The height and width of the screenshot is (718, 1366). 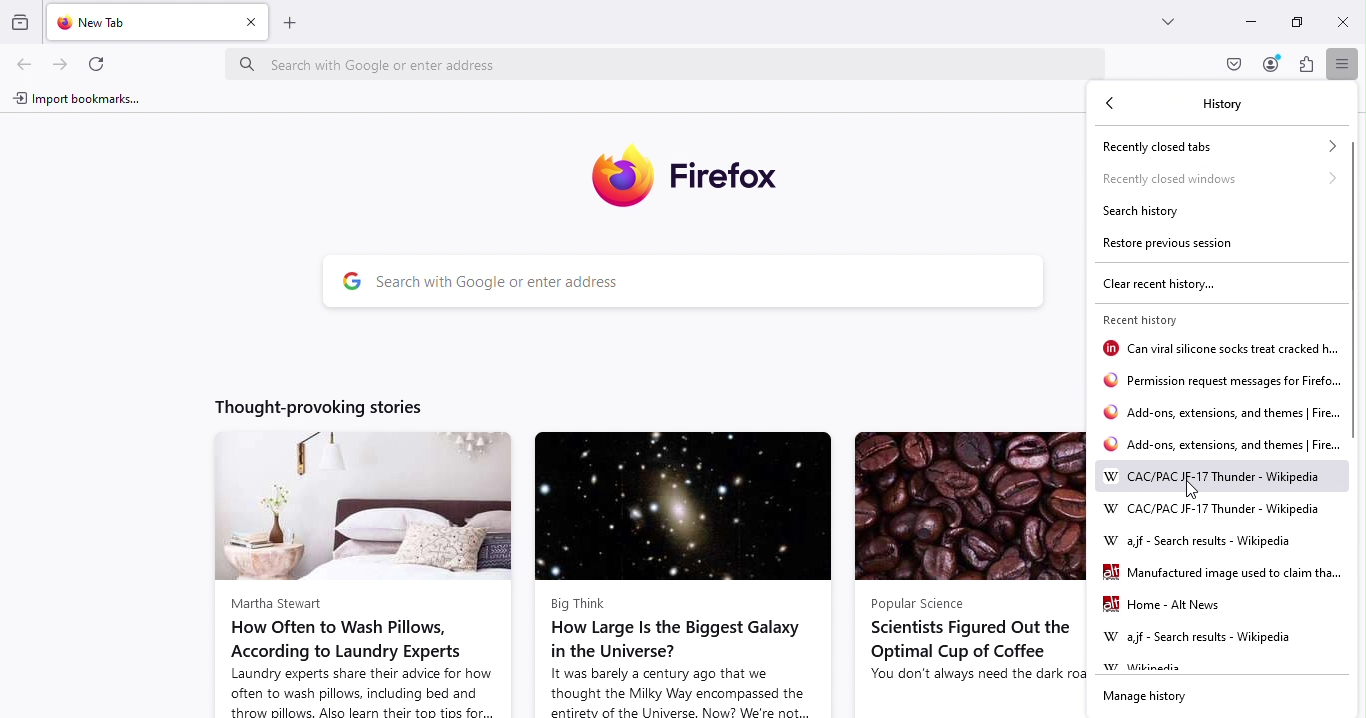 I want to click on Search bar, so click(x=702, y=284).